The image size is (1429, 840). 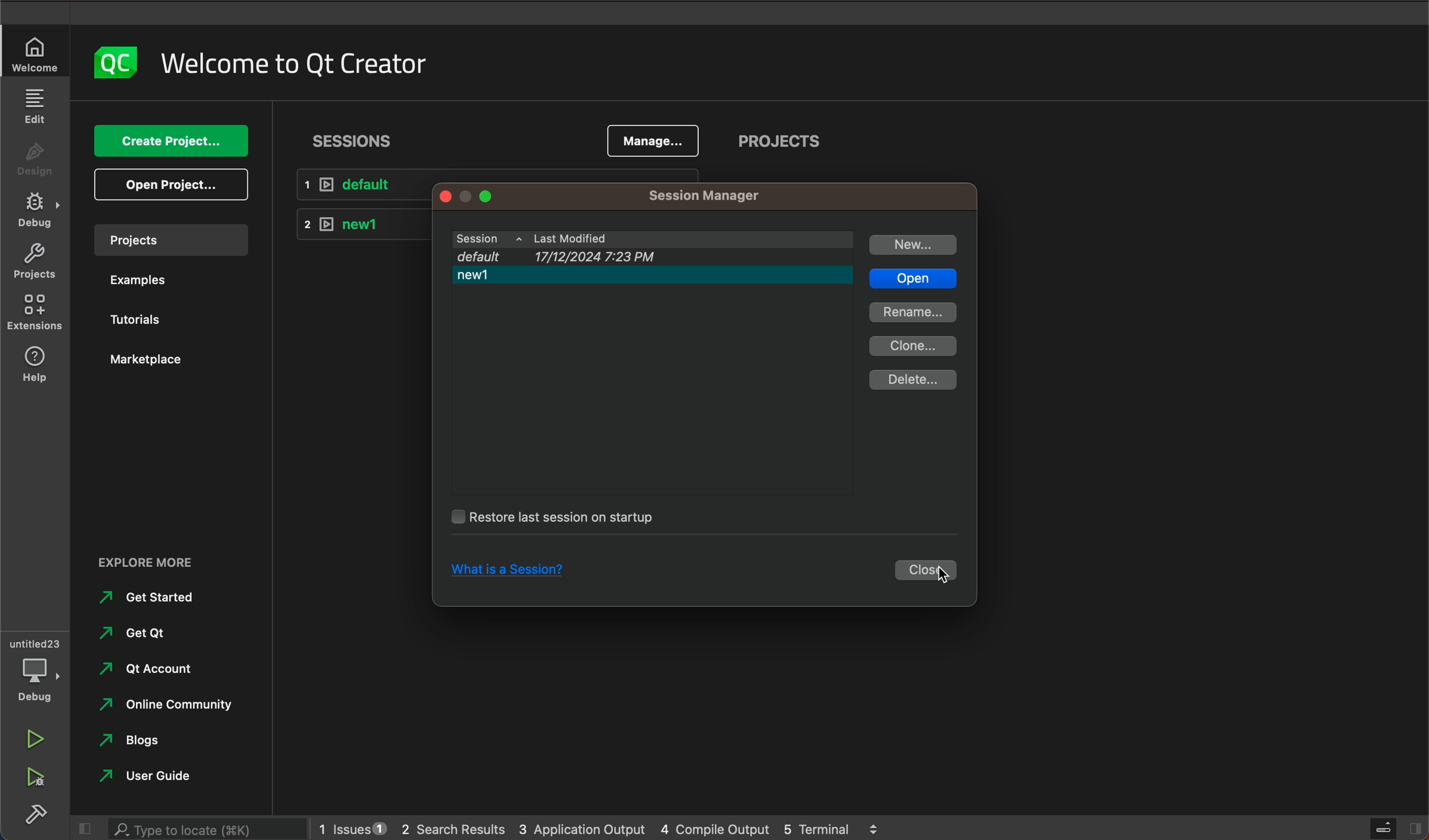 What do you see at coordinates (916, 346) in the screenshot?
I see `clone` at bounding box center [916, 346].